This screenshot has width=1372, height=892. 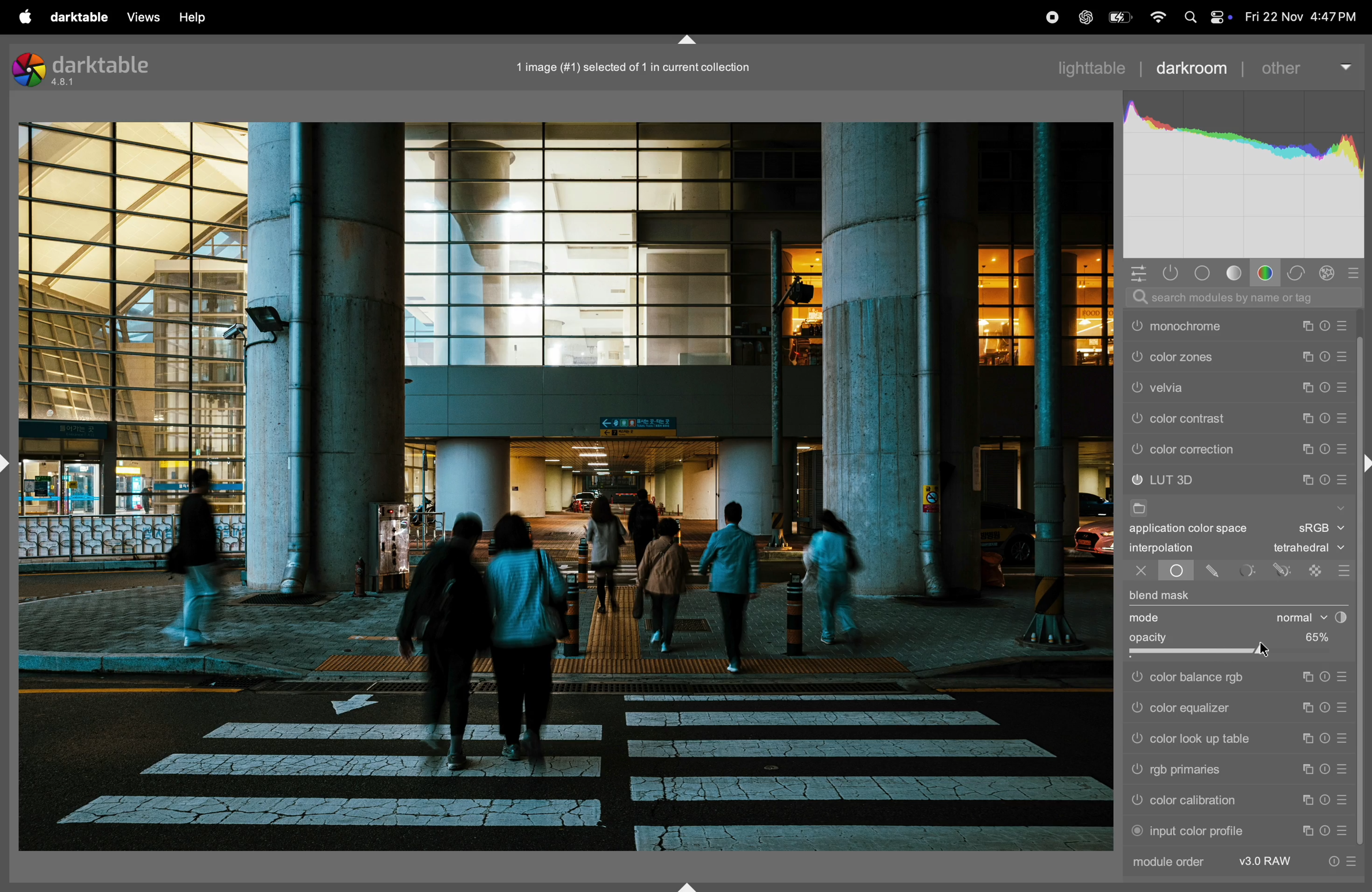 I want to click on multiple instance actions, so click(x=1305, y=738).